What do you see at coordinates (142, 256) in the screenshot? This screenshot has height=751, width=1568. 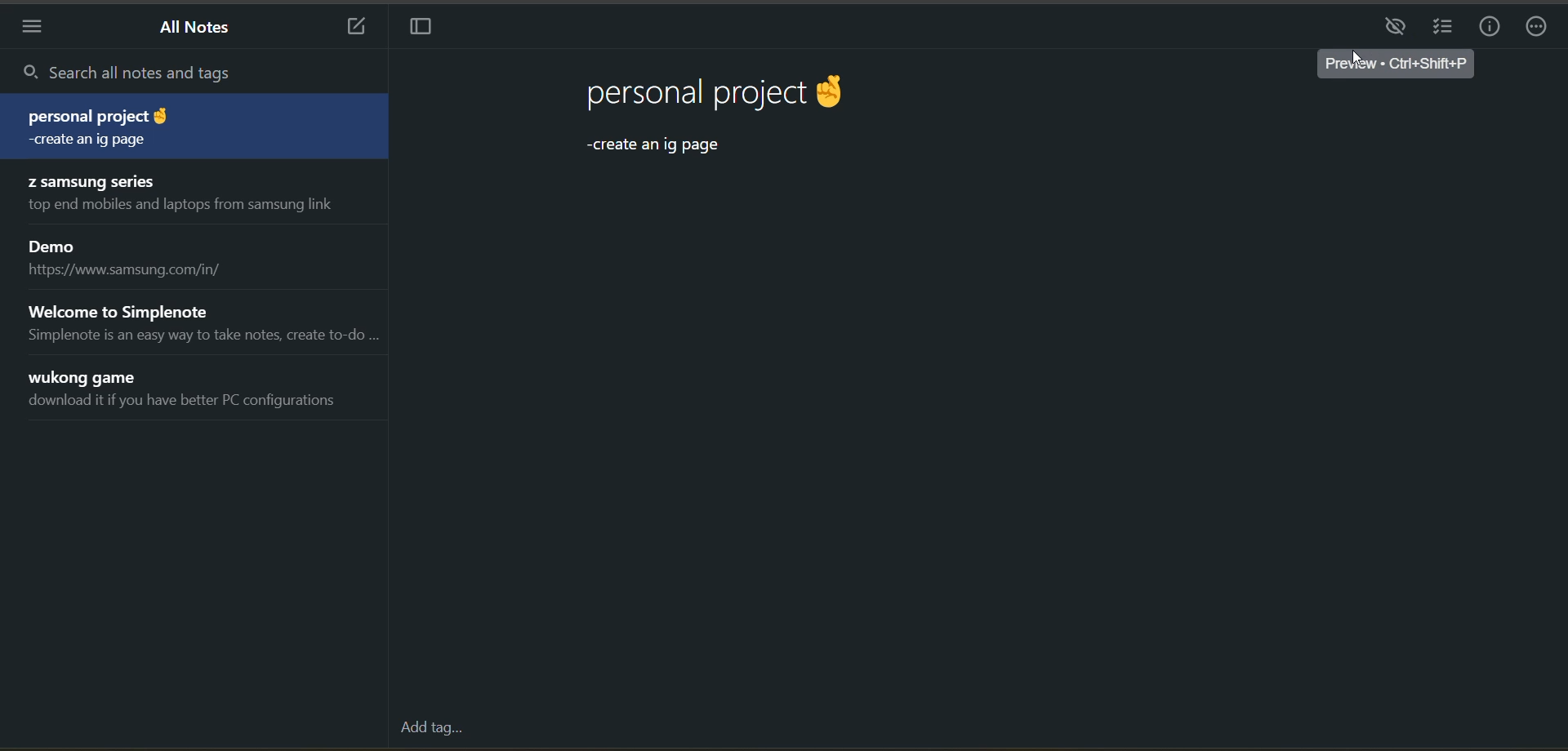 I see `note title and preview` at bounding box center [142, 256].